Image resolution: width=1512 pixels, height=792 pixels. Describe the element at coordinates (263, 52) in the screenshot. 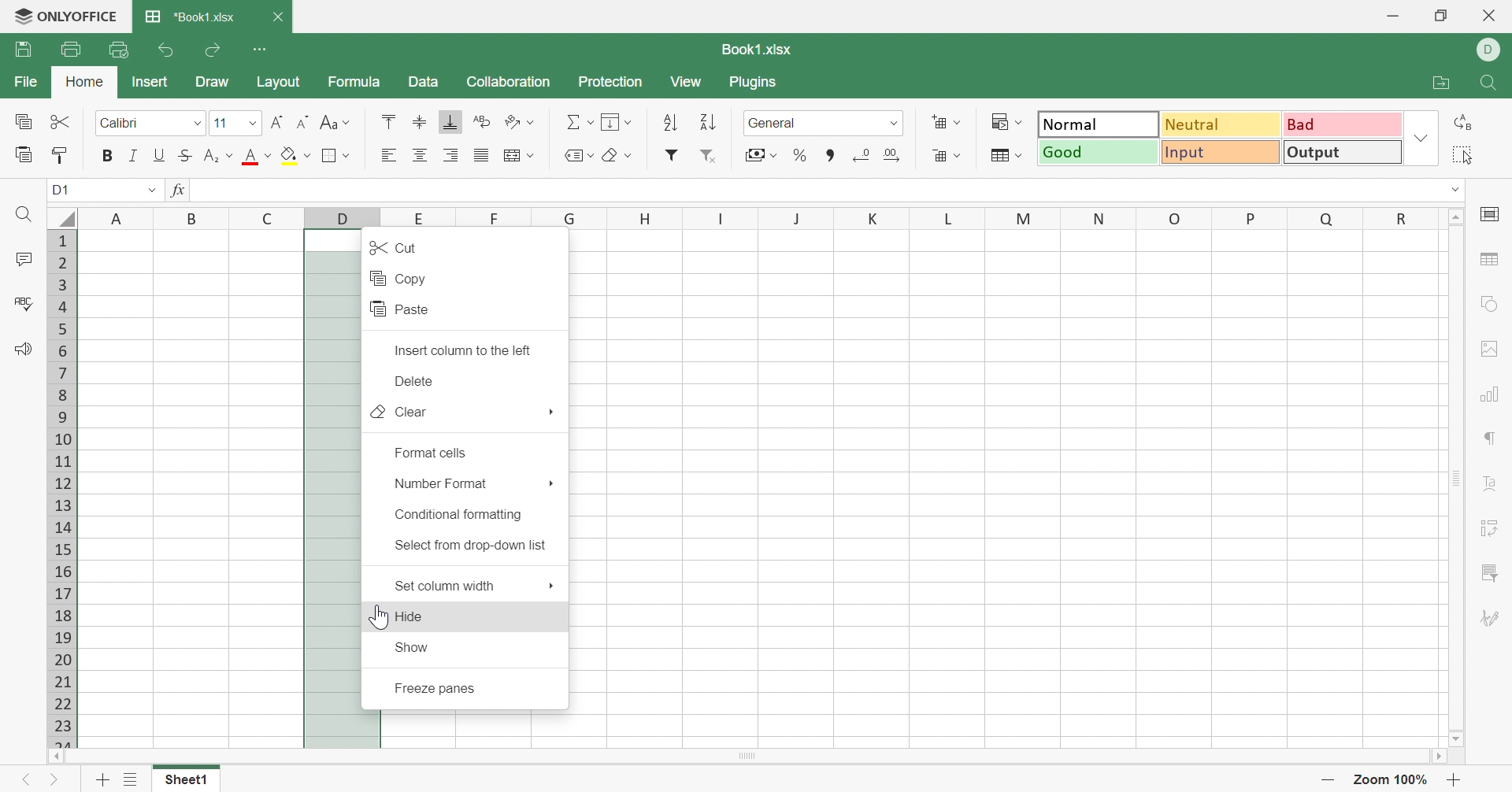

I see `Customize Quick Access Toolbar` at that location.